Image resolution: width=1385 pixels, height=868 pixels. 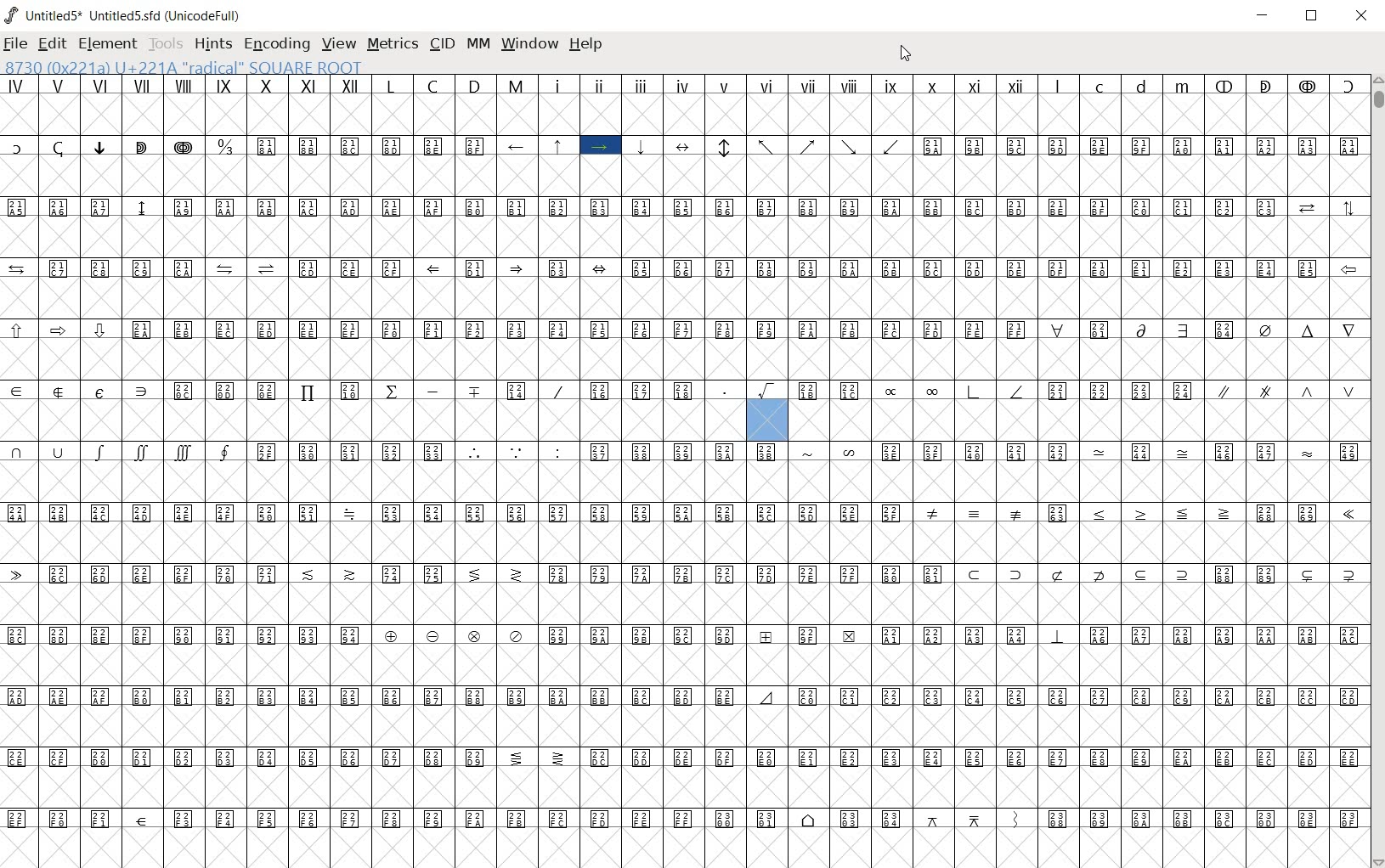 What do you see at coordinates (226, 67) in the screenshot?
I see `8730 (0x221a) U+221A "radical" SQUARE ROOT` at bounding box center [226, 67].